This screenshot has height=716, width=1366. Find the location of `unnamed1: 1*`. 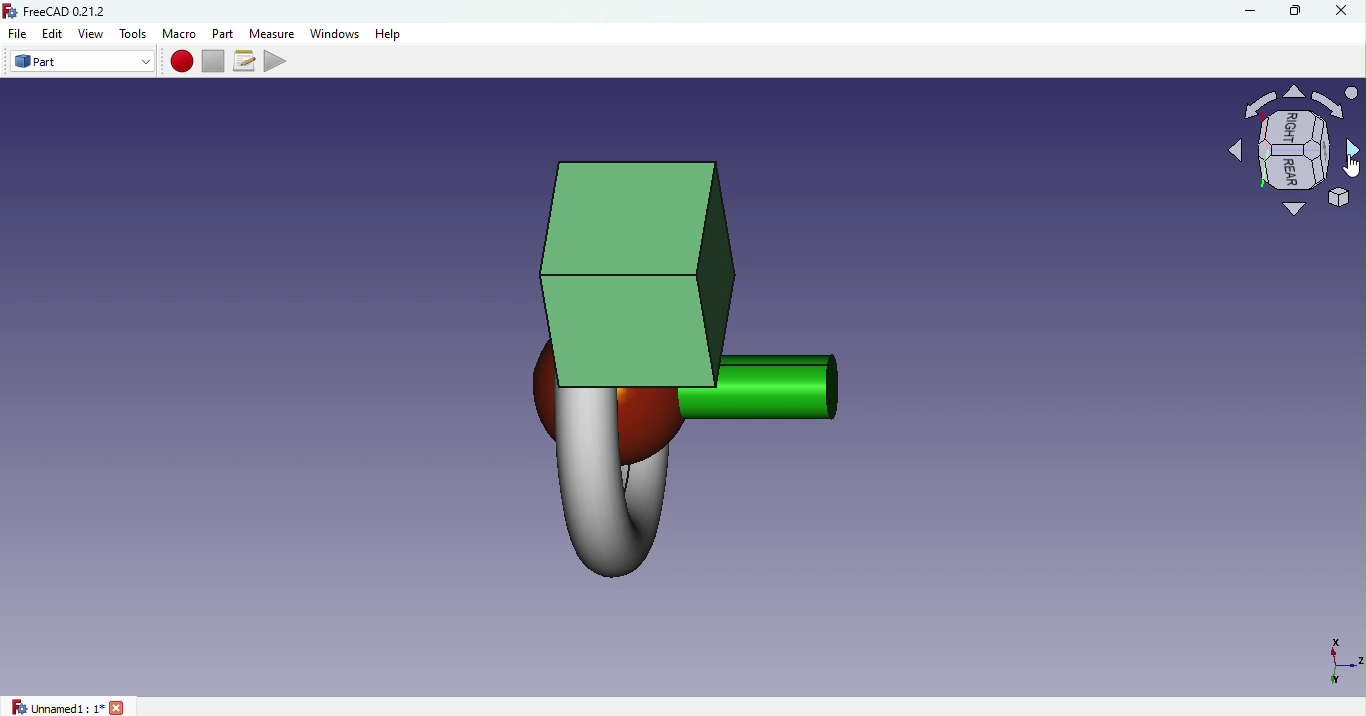

unnamed1: 1* is located at coordinates (67, 706).